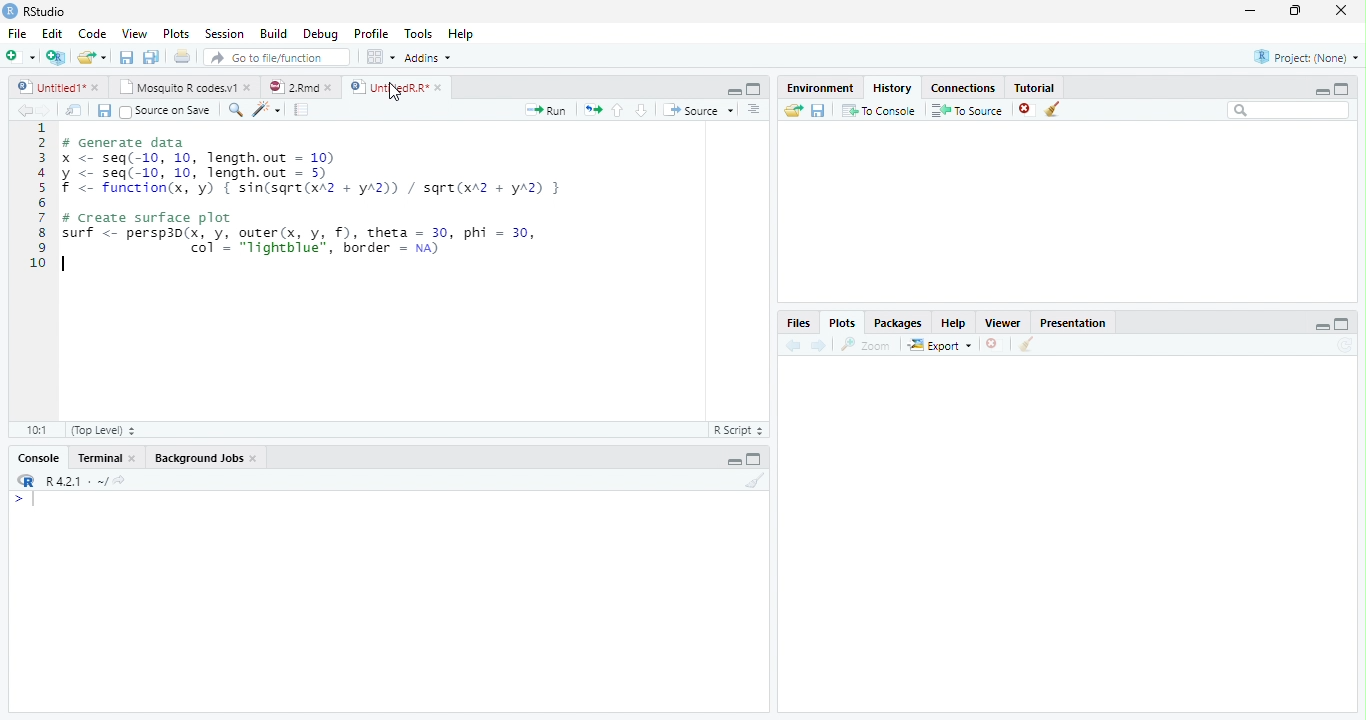 This screenshot has width=1366, height=720. Describe the element at coordinates (24, 110) in the screenshot. I see `Go back to previous source location` at that location.